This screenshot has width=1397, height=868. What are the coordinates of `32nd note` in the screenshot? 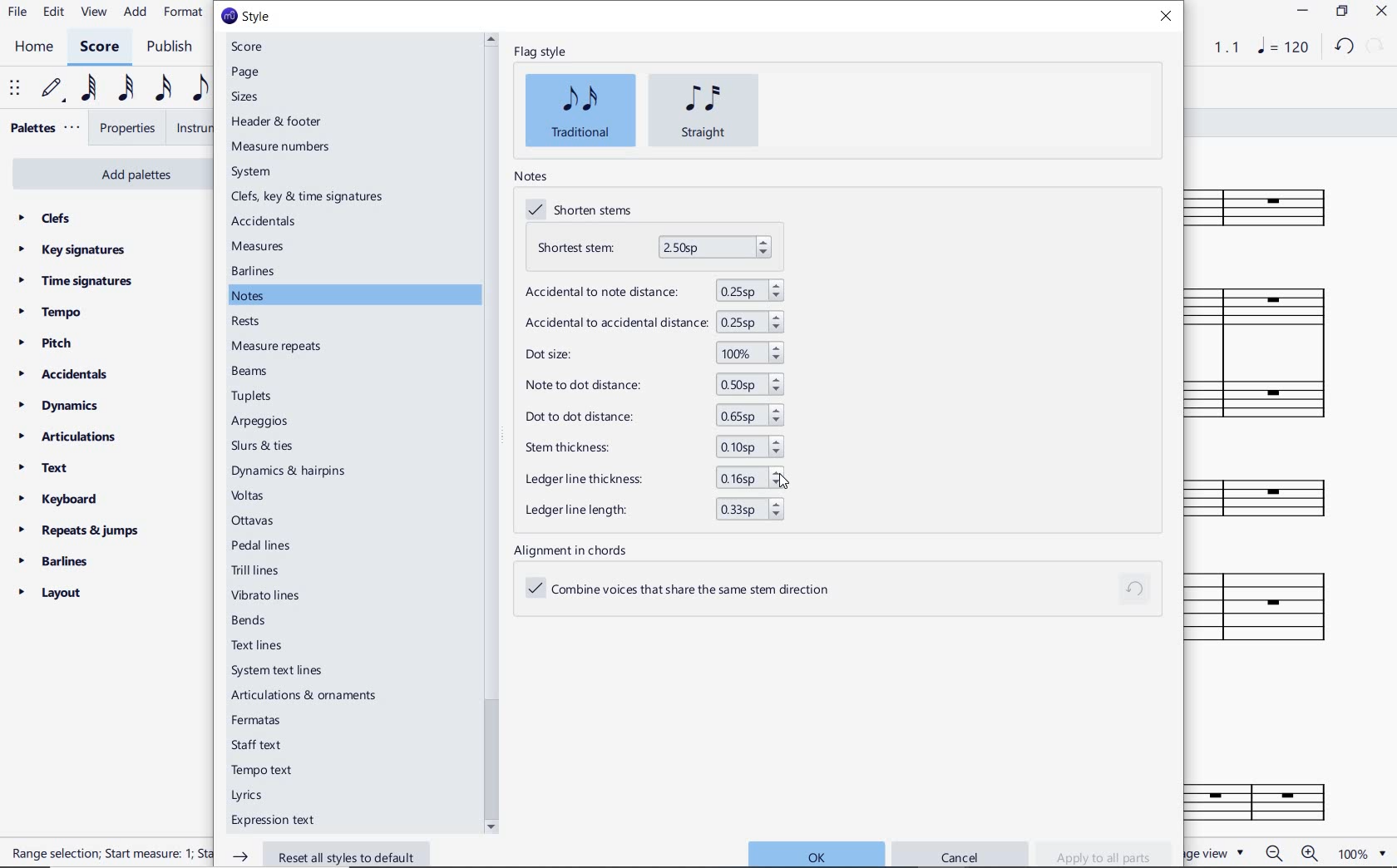 It's located at (126, 91).